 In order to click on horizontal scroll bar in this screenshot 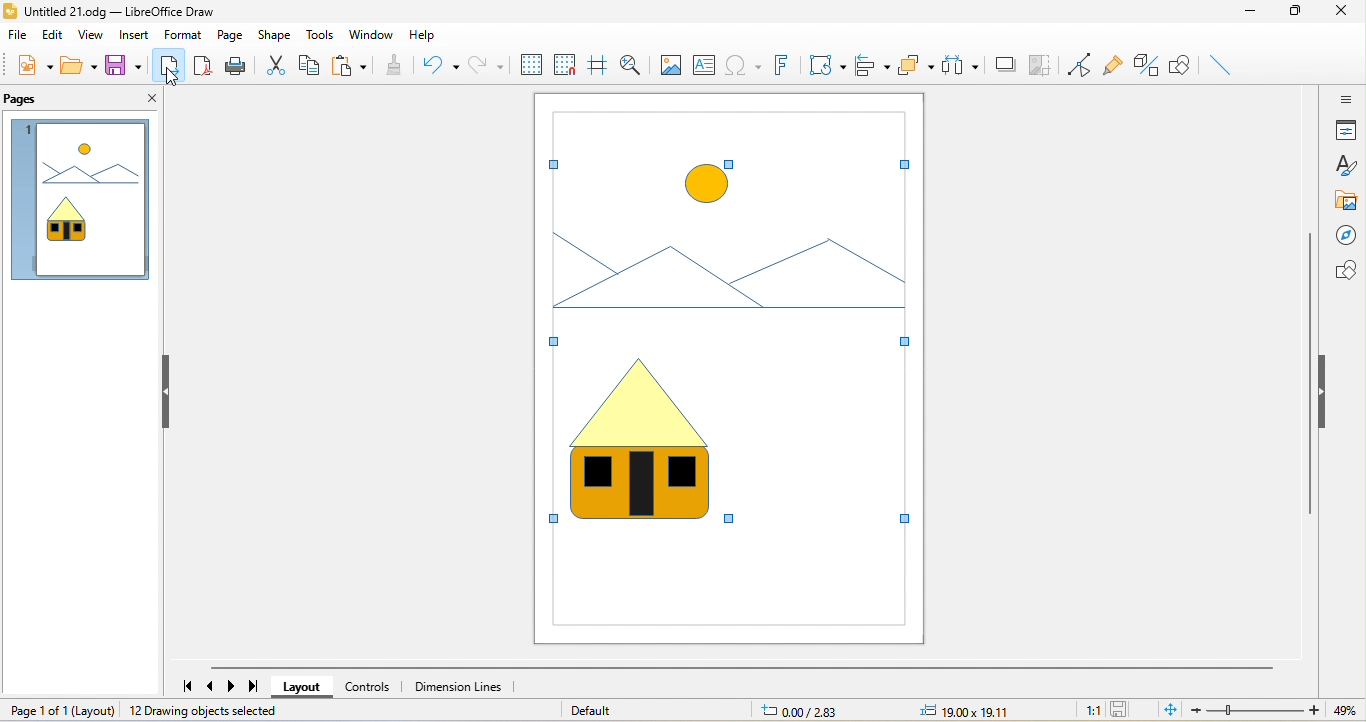, I will do `click(740, 668)`.